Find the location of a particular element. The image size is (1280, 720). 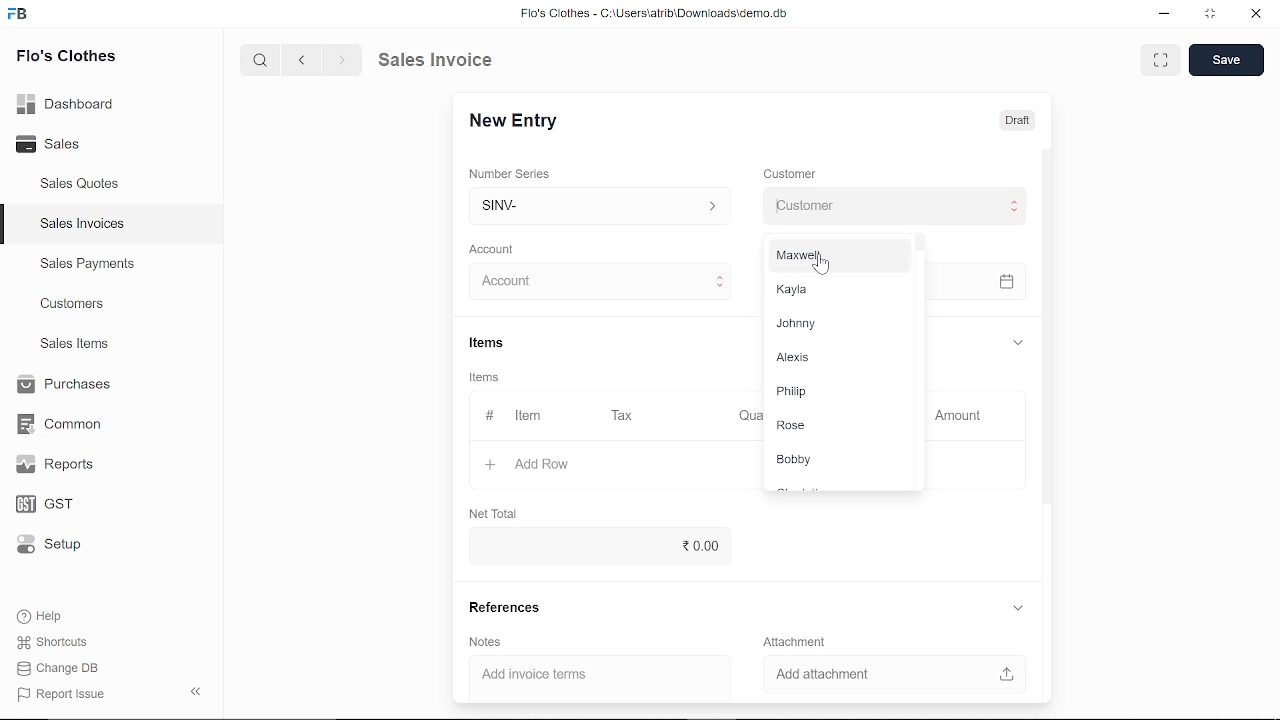

Flo's Clothes is located at coordinates (64, 59).